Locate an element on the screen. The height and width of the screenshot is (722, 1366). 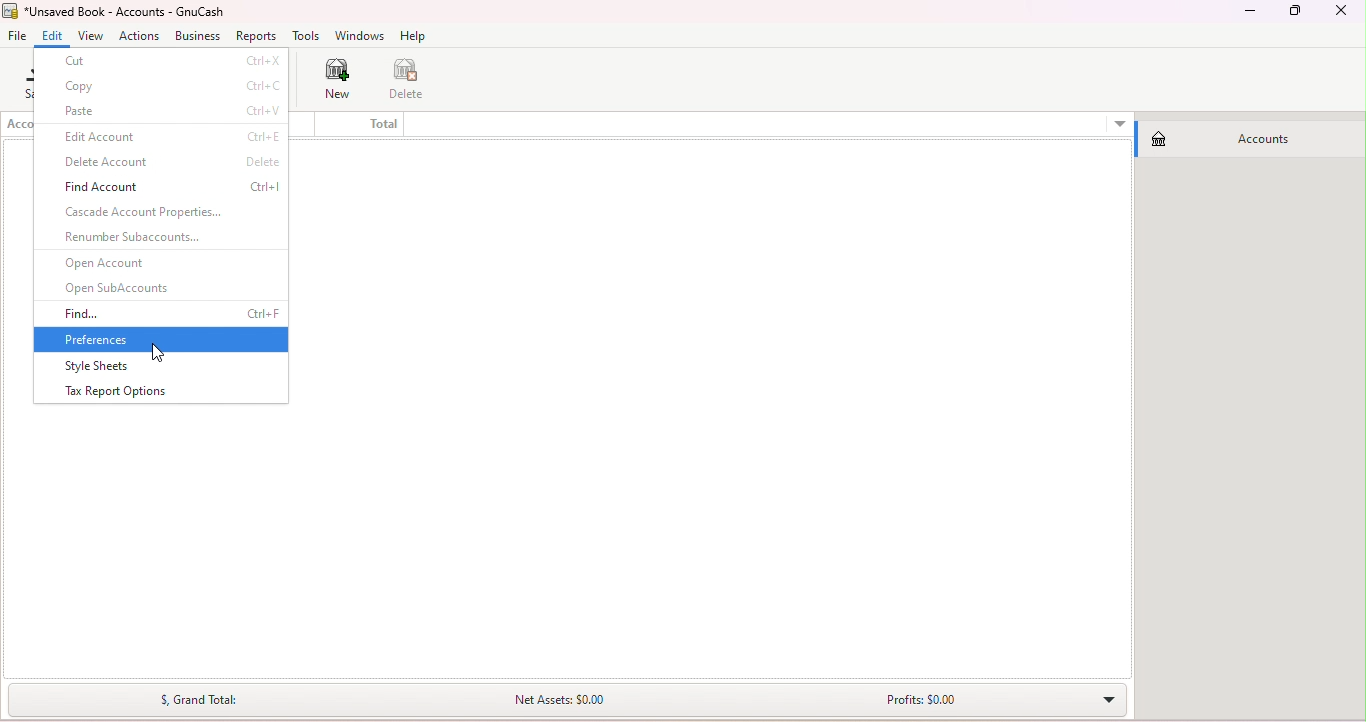
Actions is located at coordinates (138, 36).